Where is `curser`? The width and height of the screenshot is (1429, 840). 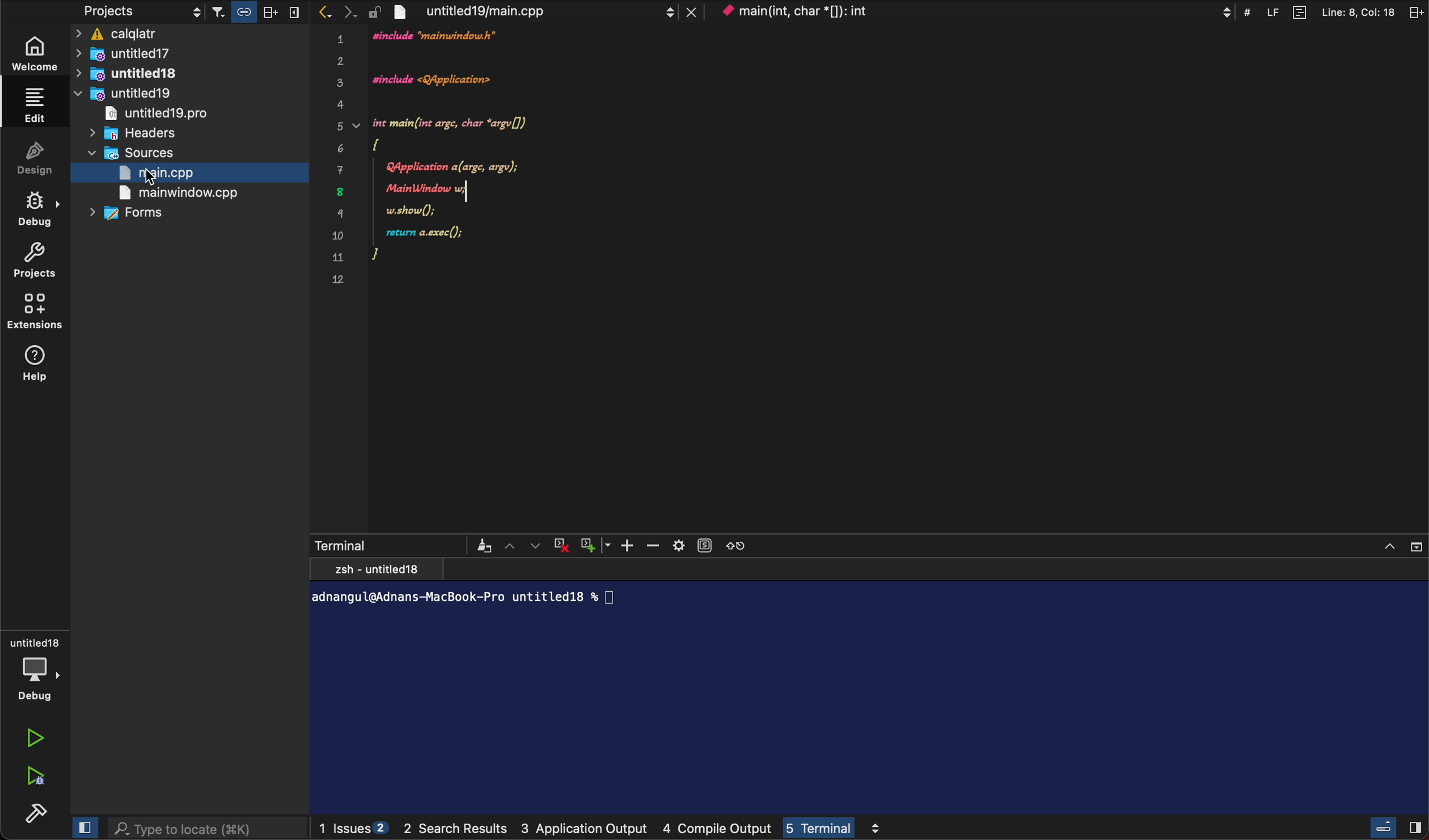
curser is located at coordinates (152, 177).